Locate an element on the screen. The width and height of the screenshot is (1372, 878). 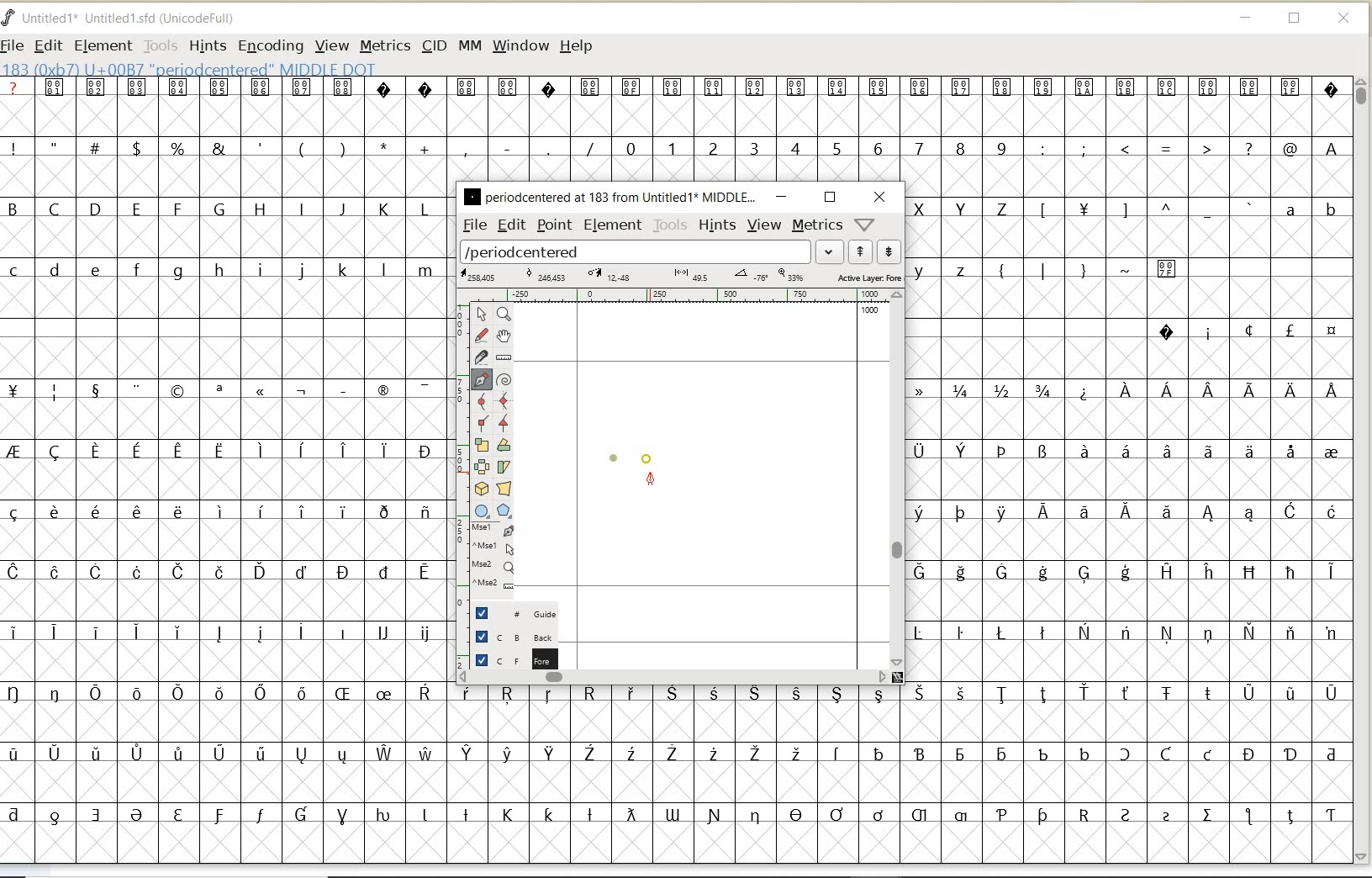
FILE is located at coordinates (14, 45).